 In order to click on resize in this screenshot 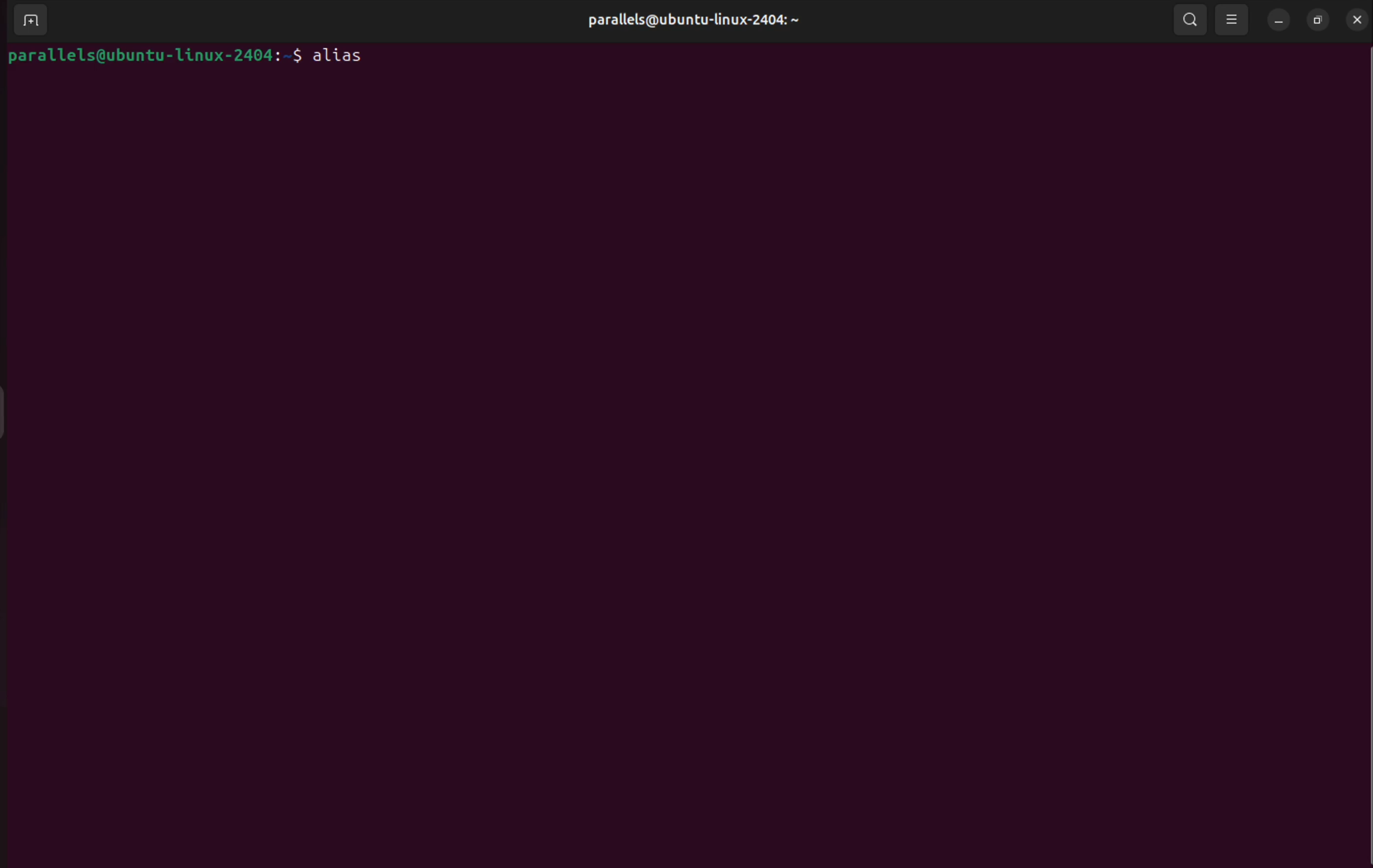, I will do `click(1318, 19)`.